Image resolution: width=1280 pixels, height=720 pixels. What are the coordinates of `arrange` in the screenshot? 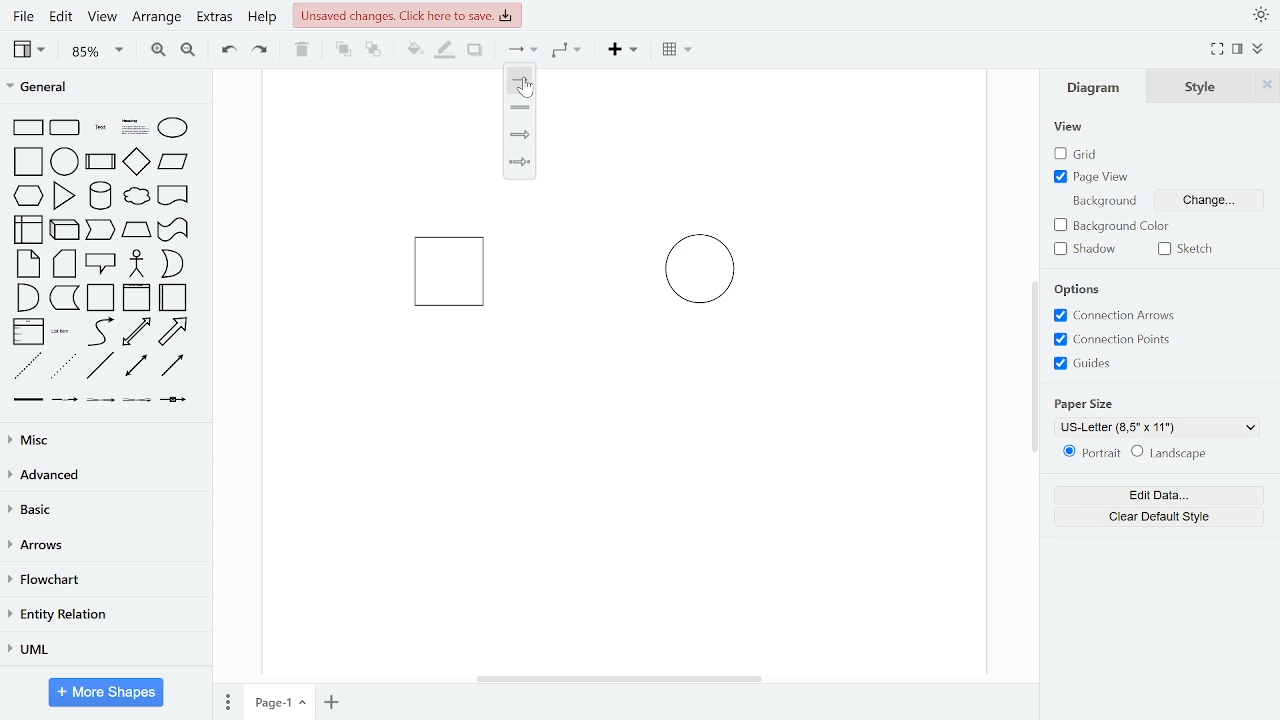 It's located at (157, 18).